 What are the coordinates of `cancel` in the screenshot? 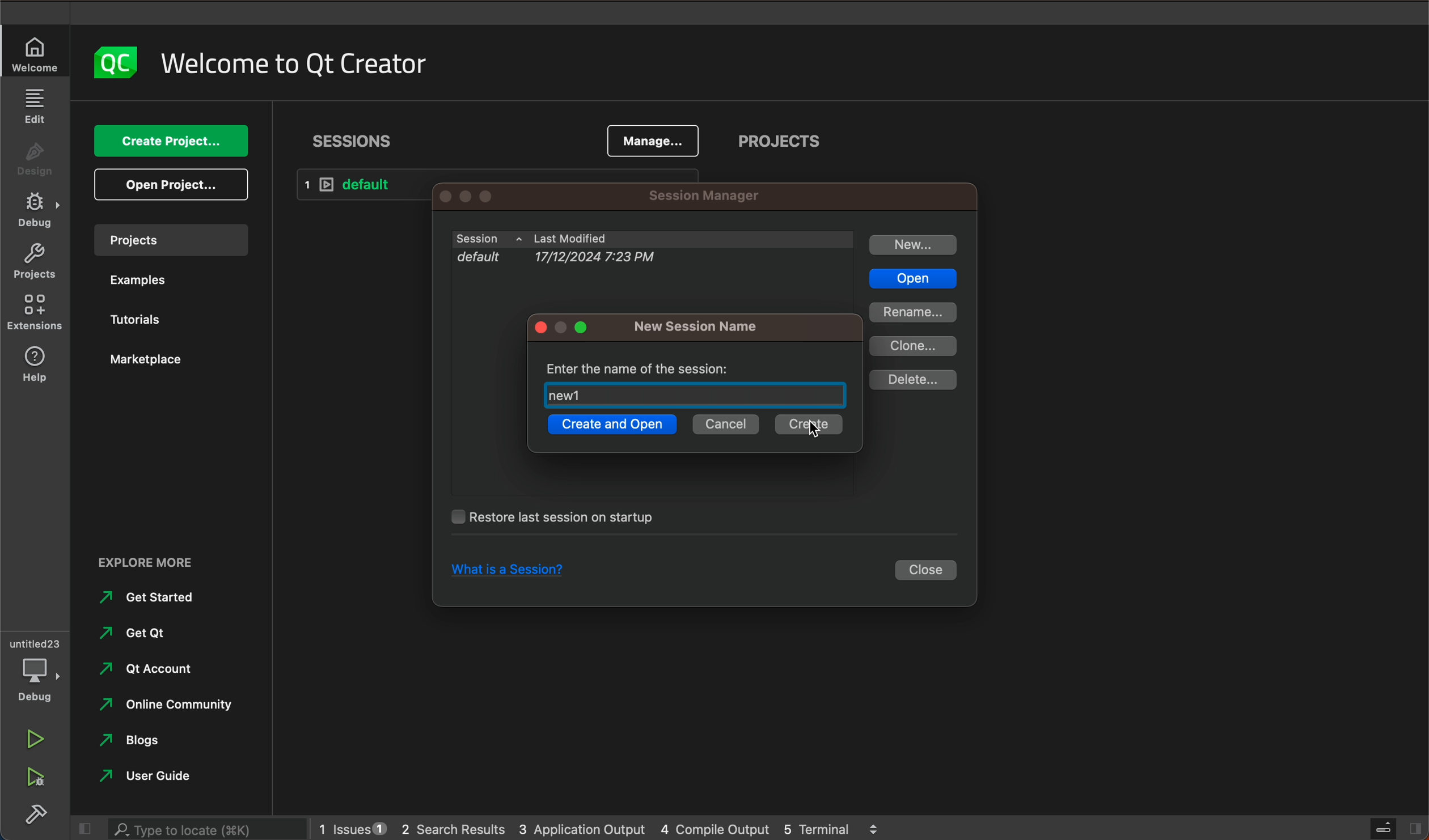 It's located at (726, 425).